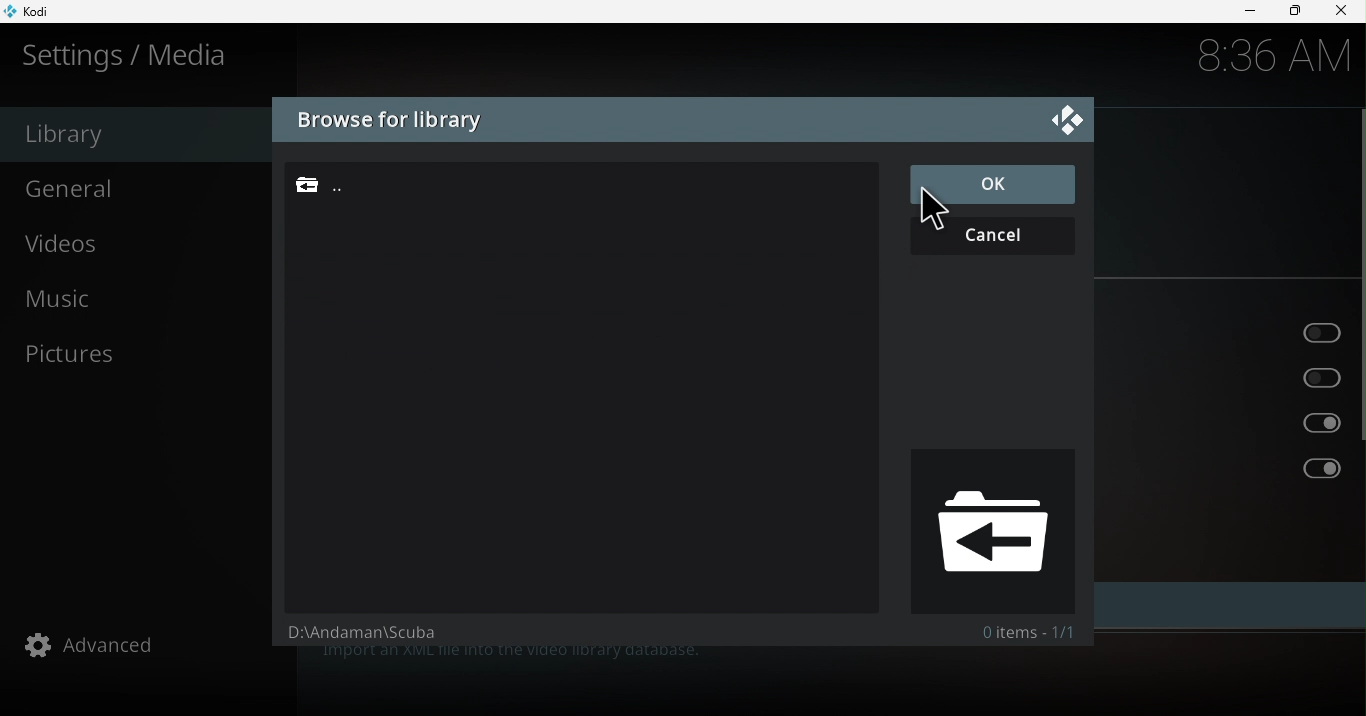 The width and height of the screenshot is (1366, 716). I want to click on scroll bar, so click(1358, 367).